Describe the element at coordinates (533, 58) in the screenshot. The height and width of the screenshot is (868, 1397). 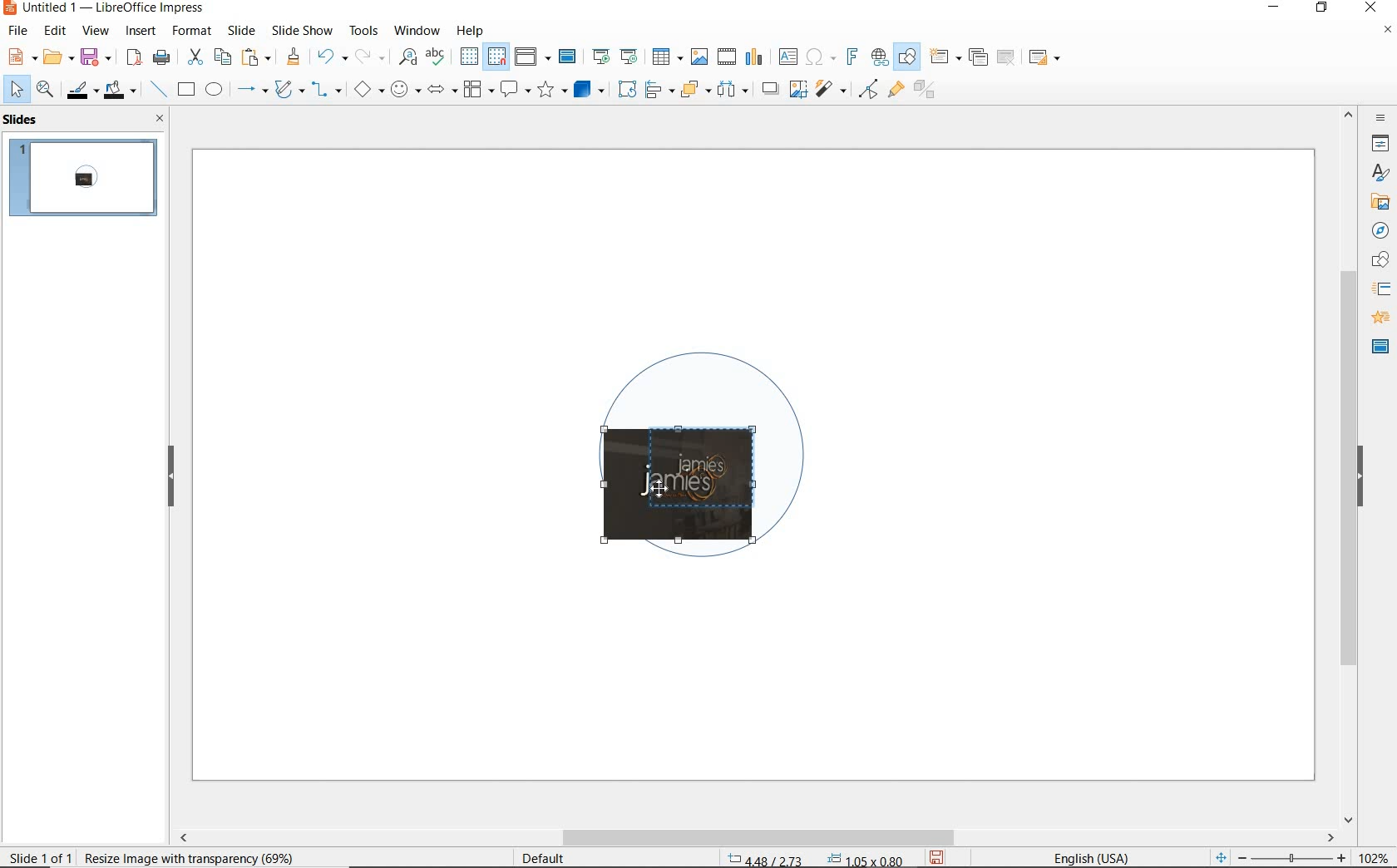
I see `display views` at that location.